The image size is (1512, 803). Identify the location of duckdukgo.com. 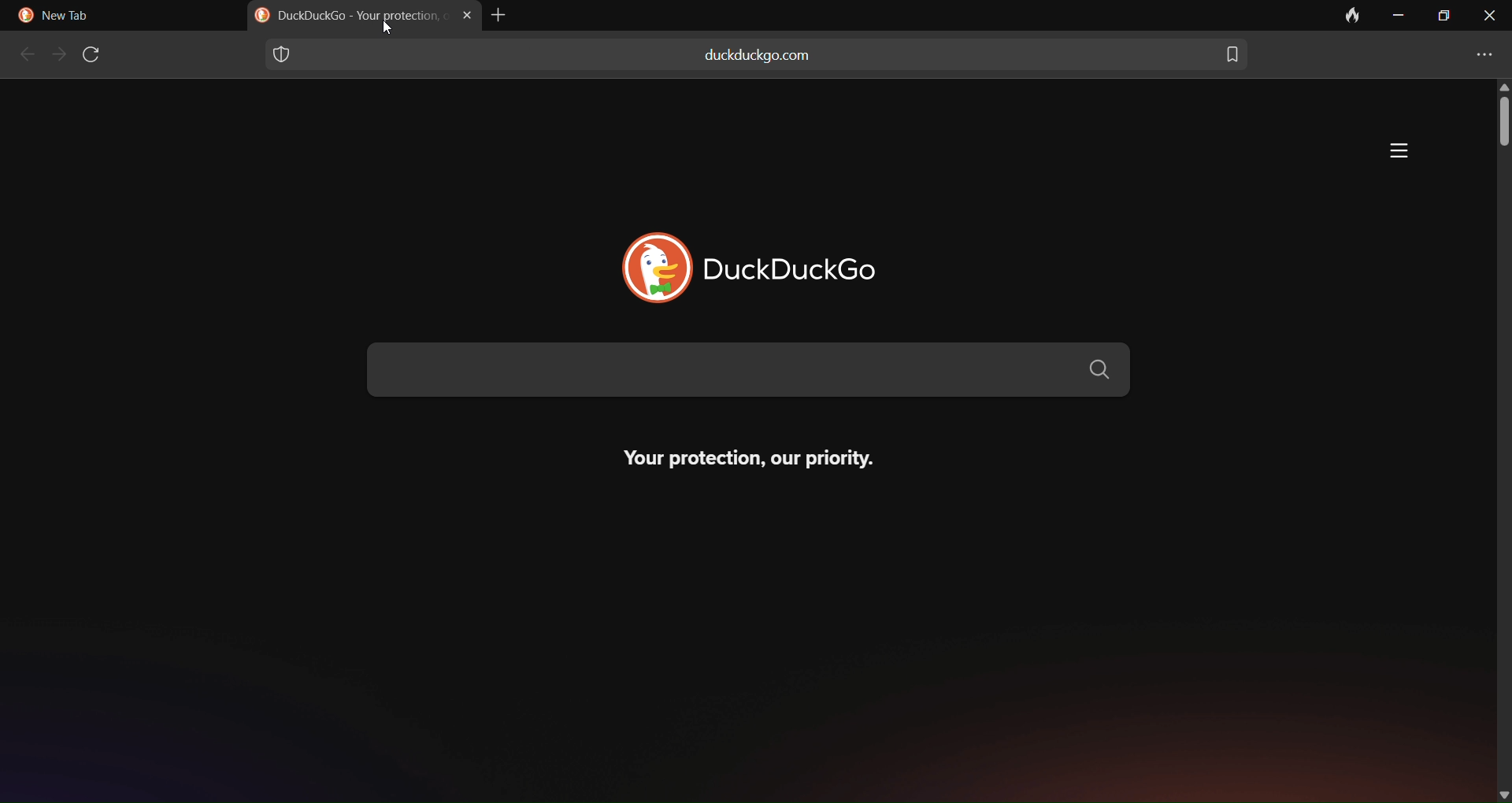
(759, 62).